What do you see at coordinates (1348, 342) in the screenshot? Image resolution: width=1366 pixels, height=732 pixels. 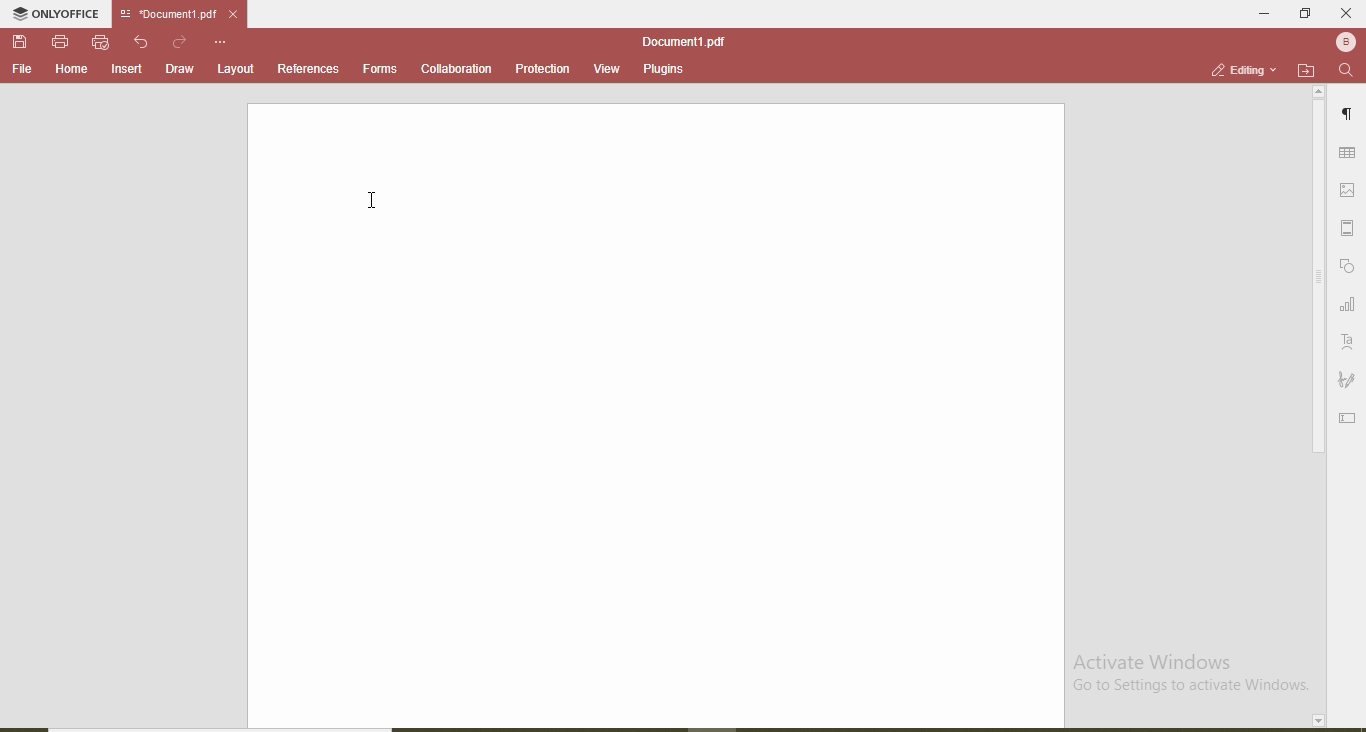 I see `text` at bounding box center [1348, 342].